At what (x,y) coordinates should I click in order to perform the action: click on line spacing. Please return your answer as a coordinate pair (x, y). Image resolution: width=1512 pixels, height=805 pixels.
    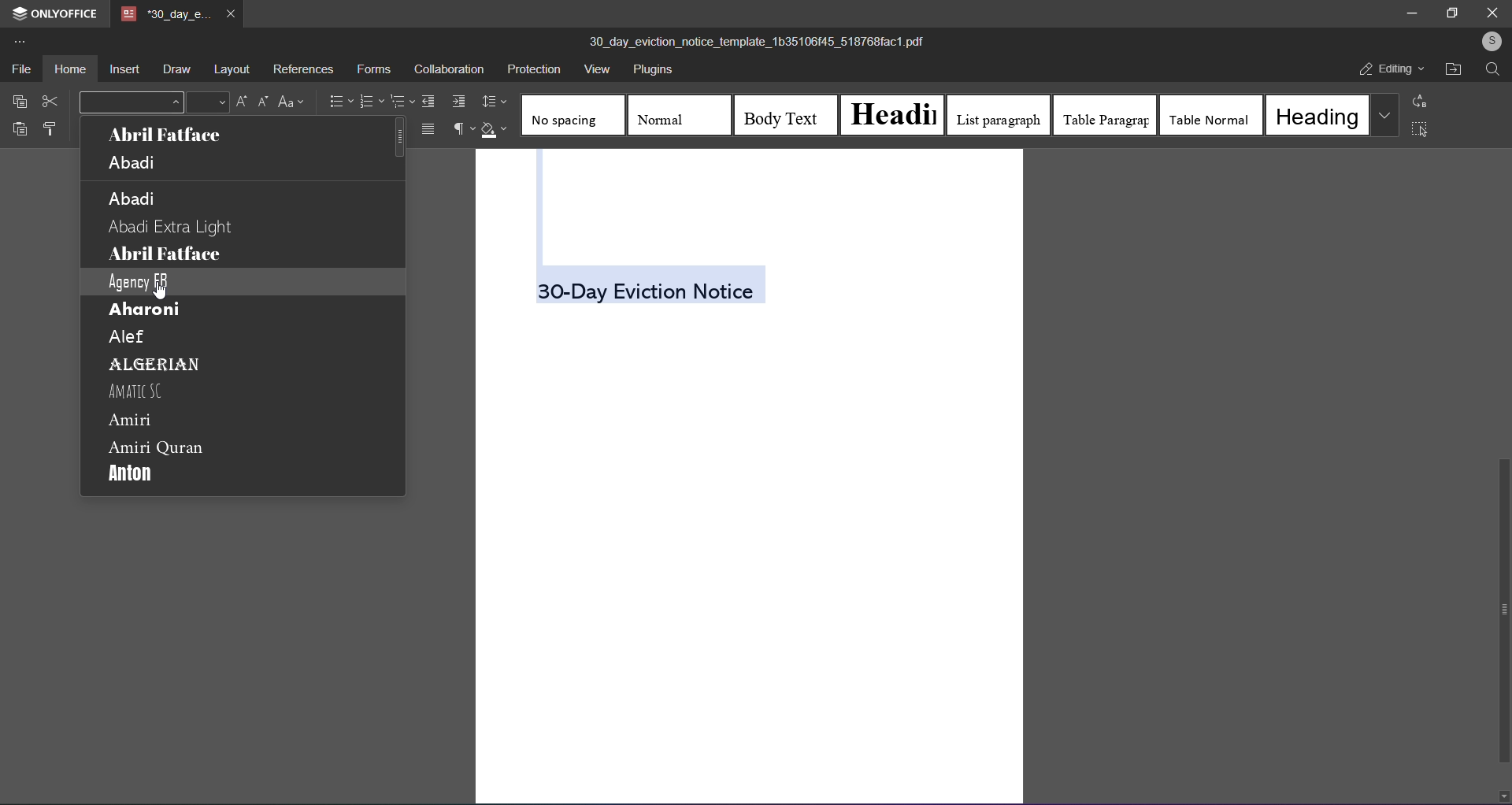
    Looking at the image, I should click on (495, 102).